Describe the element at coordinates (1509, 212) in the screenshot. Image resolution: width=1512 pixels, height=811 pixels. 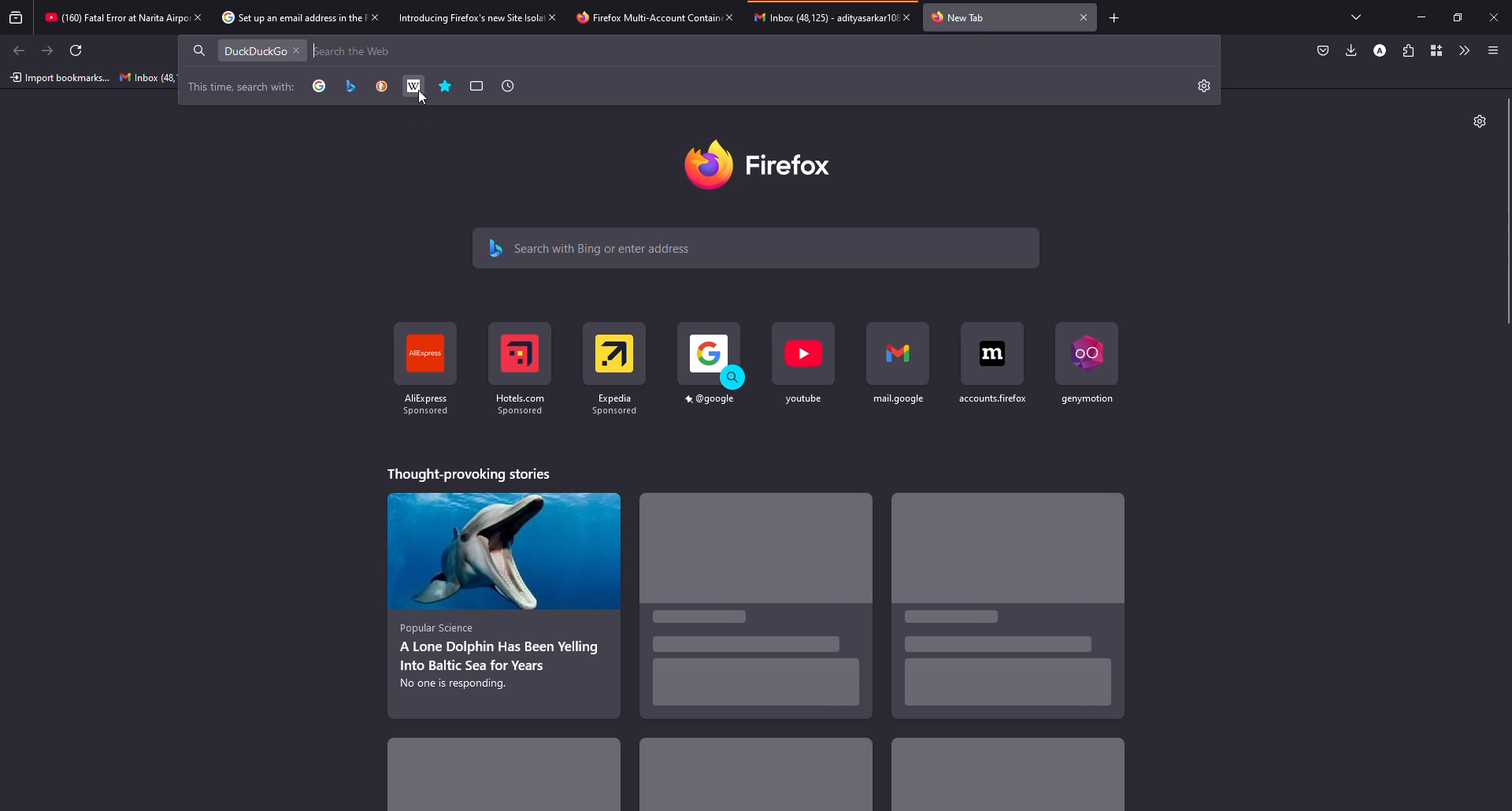
I see `scroll bar` at that location.